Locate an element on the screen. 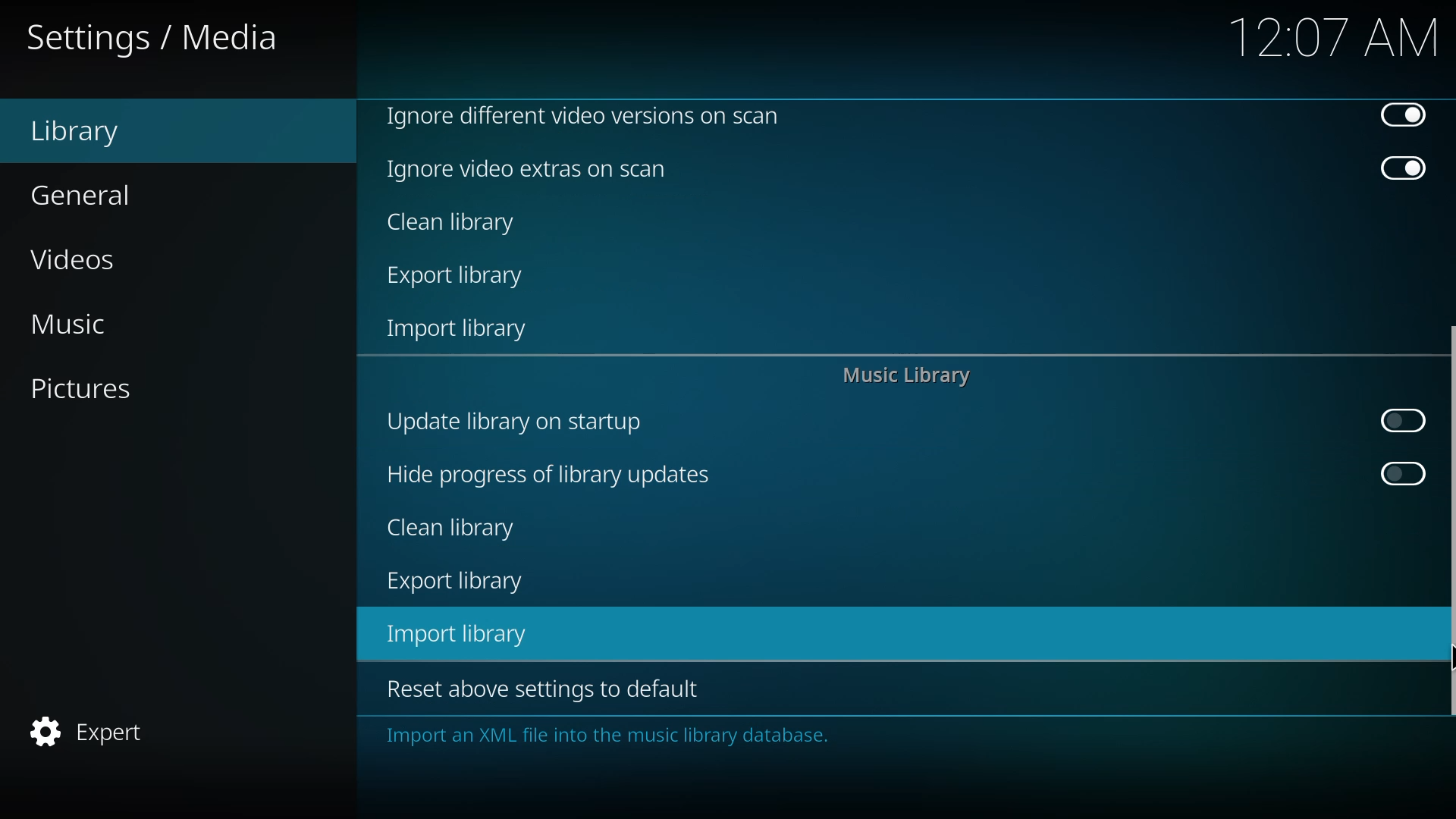 Image resolution: width=1456 pixels, height=819 pixels. music library is located at coordinates (904, 378).